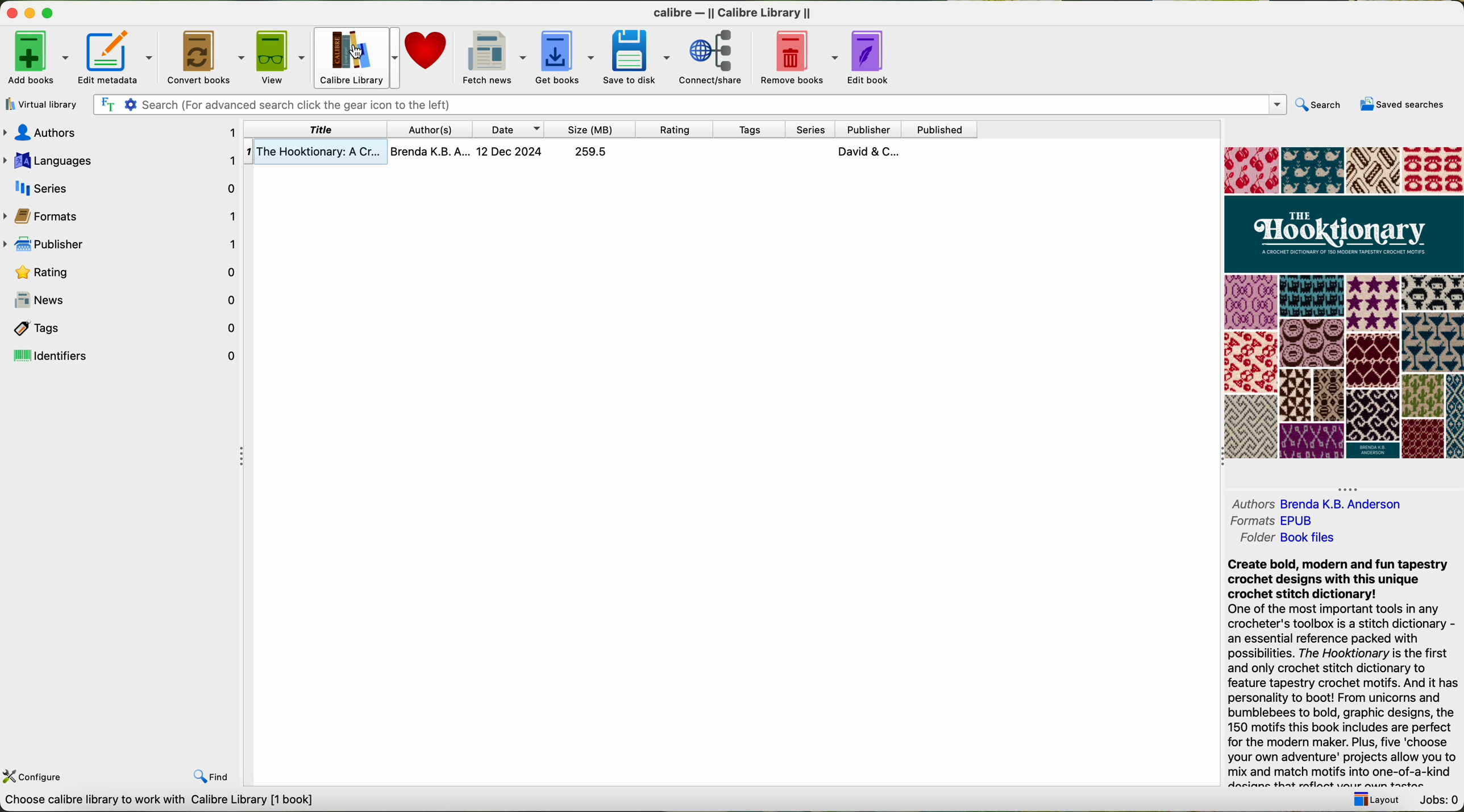  Describe the element at coordinates (122, 273) in the screenshot. I see `rating` at that location.